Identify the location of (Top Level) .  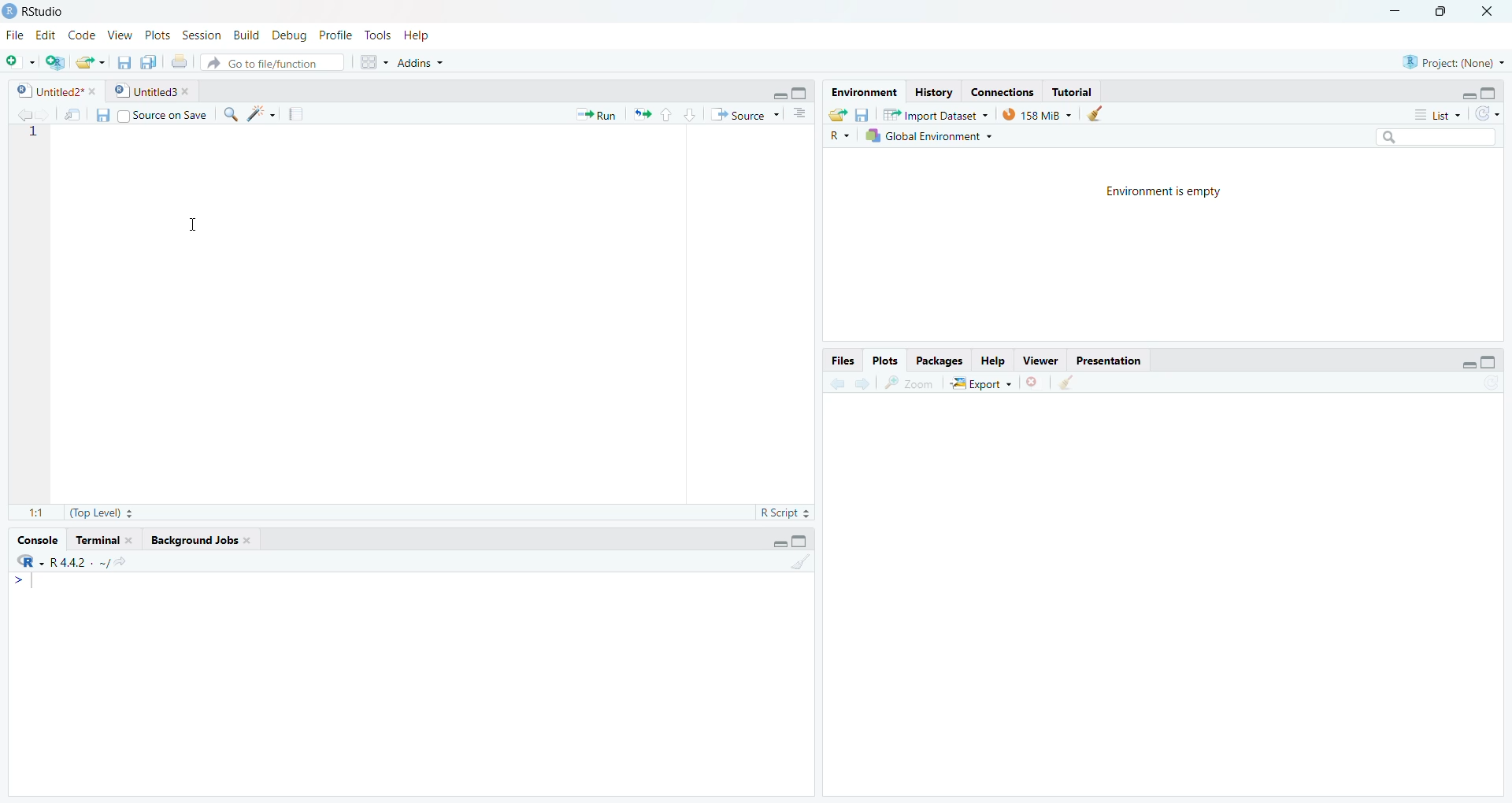
(107, 512).